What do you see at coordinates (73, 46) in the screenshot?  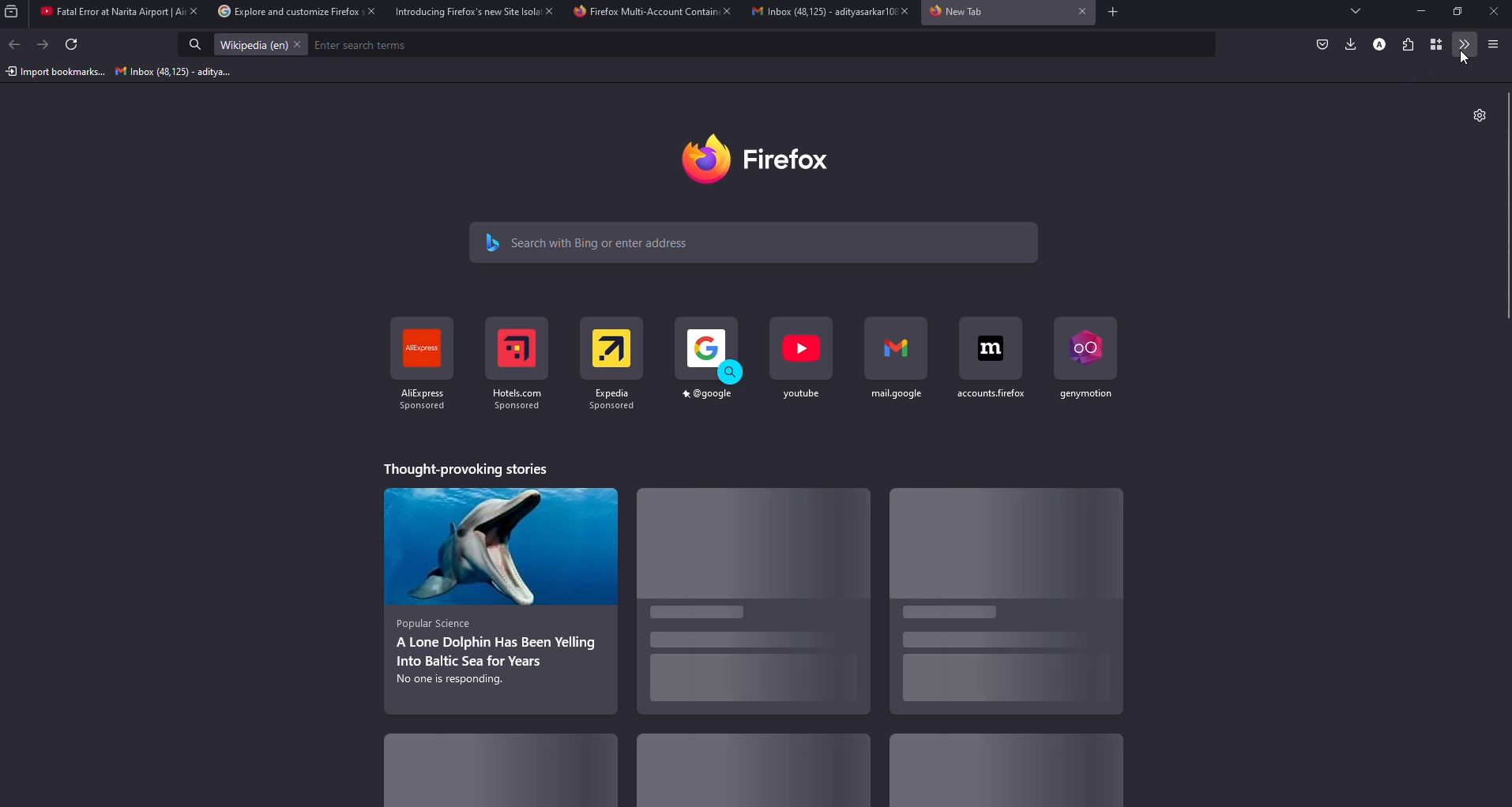 I see `refresh` at bounding box center [73, 46].